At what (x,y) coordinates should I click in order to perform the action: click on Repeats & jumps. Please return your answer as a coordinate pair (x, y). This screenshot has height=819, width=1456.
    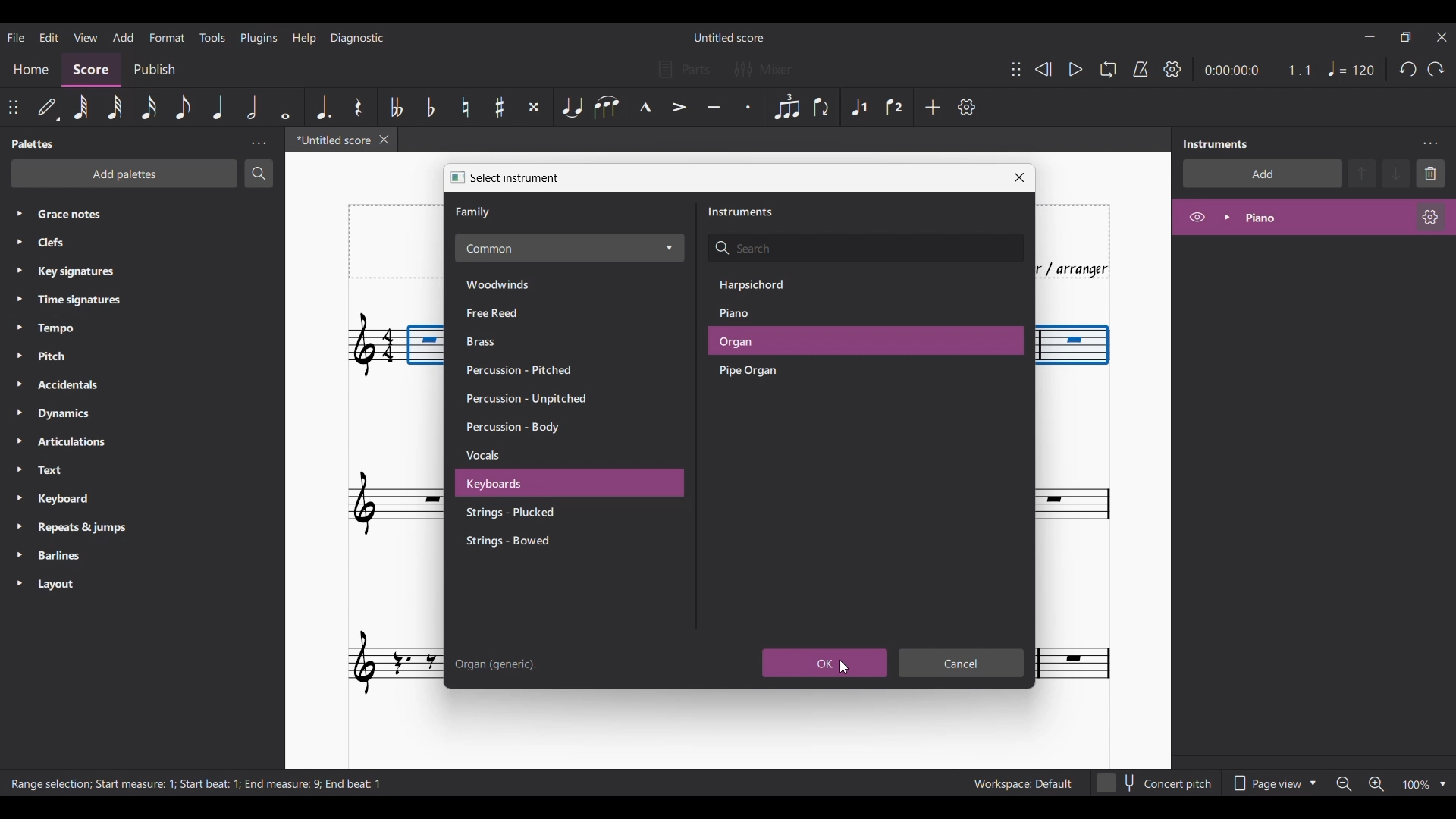
    Looking at the image, I should click on (89, 527).